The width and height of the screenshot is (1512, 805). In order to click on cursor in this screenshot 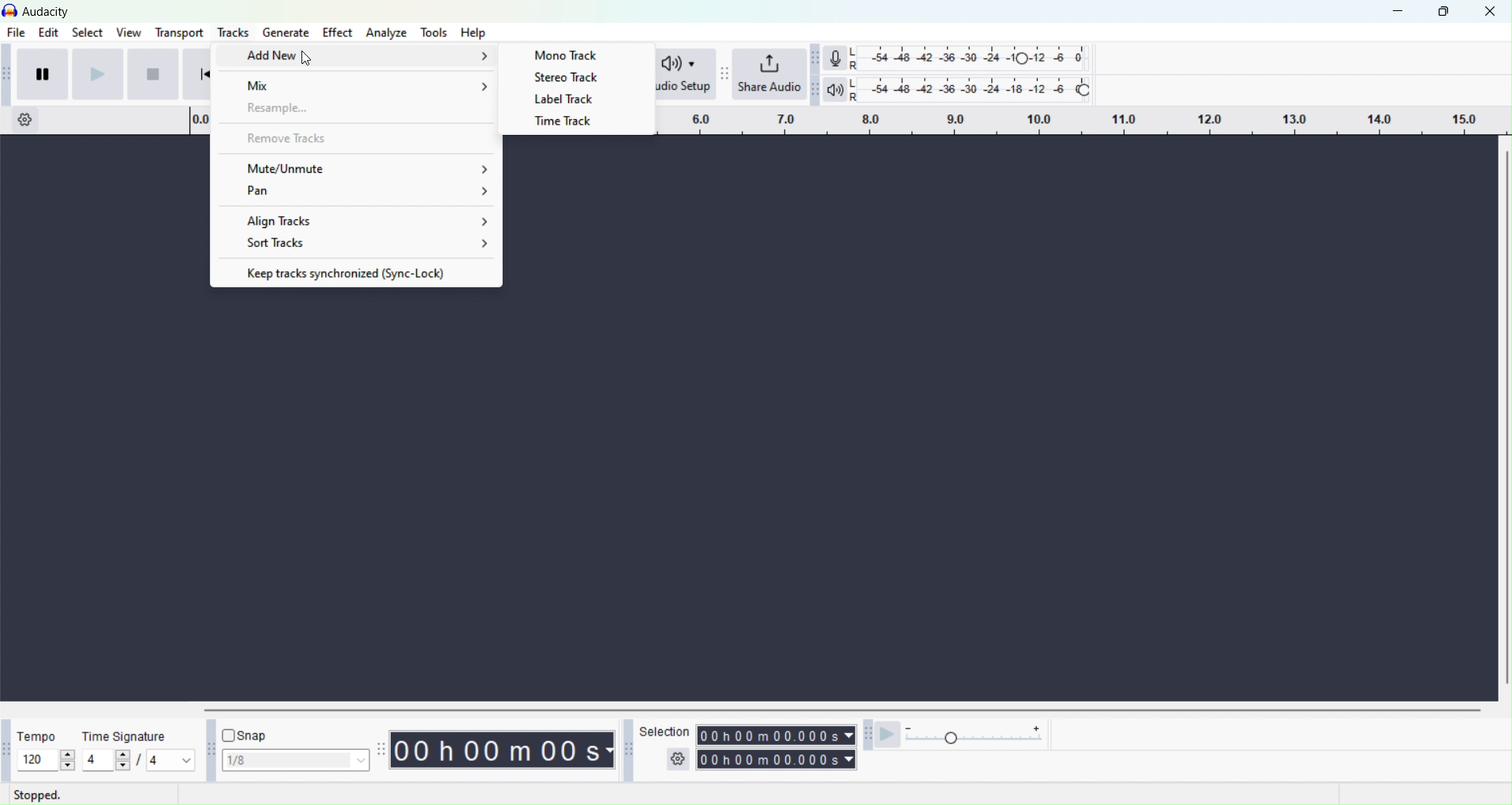, I will do `click(305, 62)`.